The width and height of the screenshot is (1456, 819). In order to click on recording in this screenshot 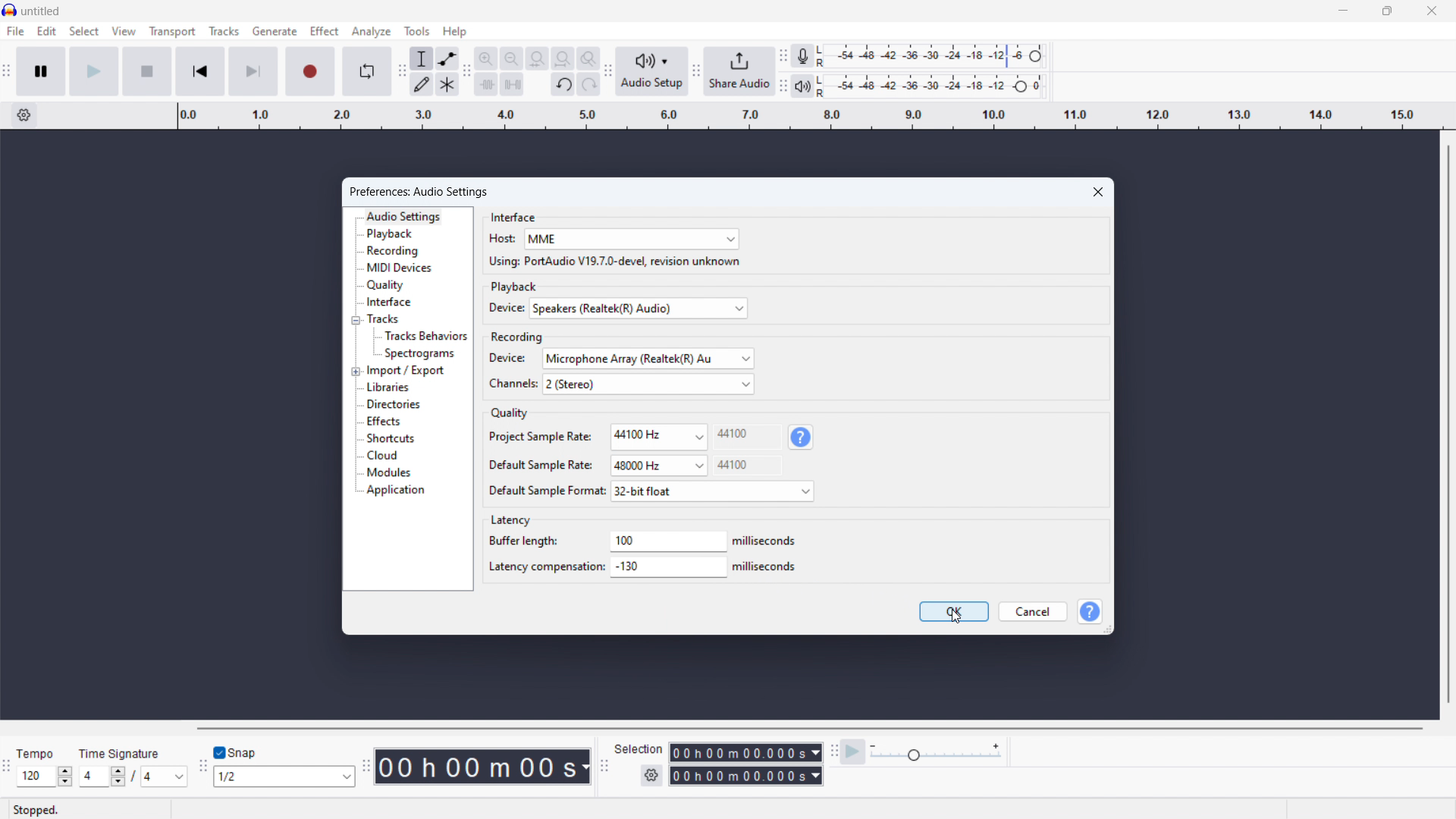, I will do `click(519, 336)`.